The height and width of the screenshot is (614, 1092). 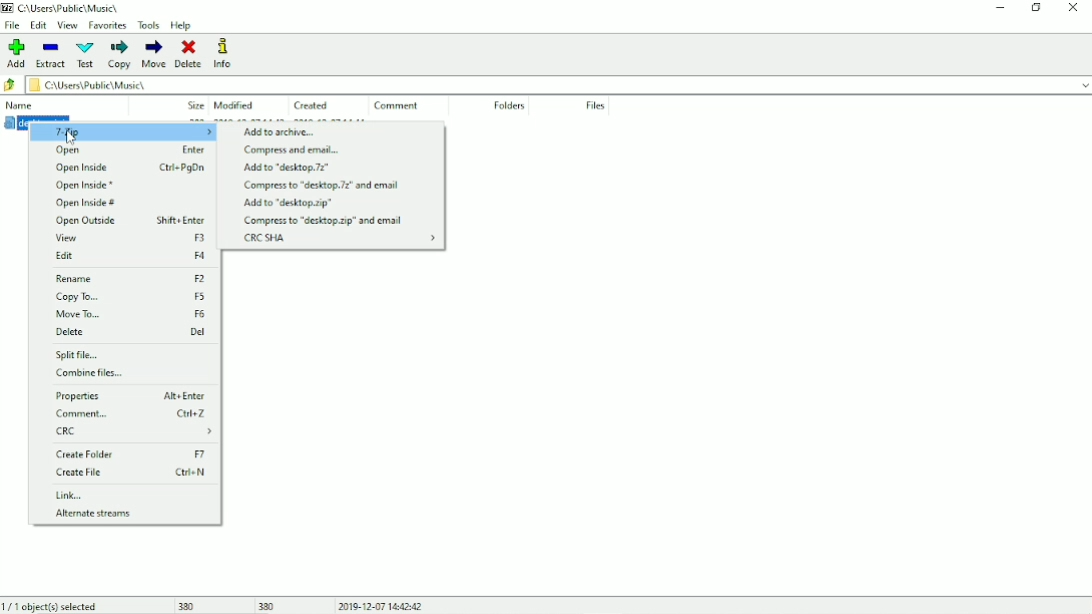 I want to click on Add to "desktop.zip", so click(x=287, y=204).